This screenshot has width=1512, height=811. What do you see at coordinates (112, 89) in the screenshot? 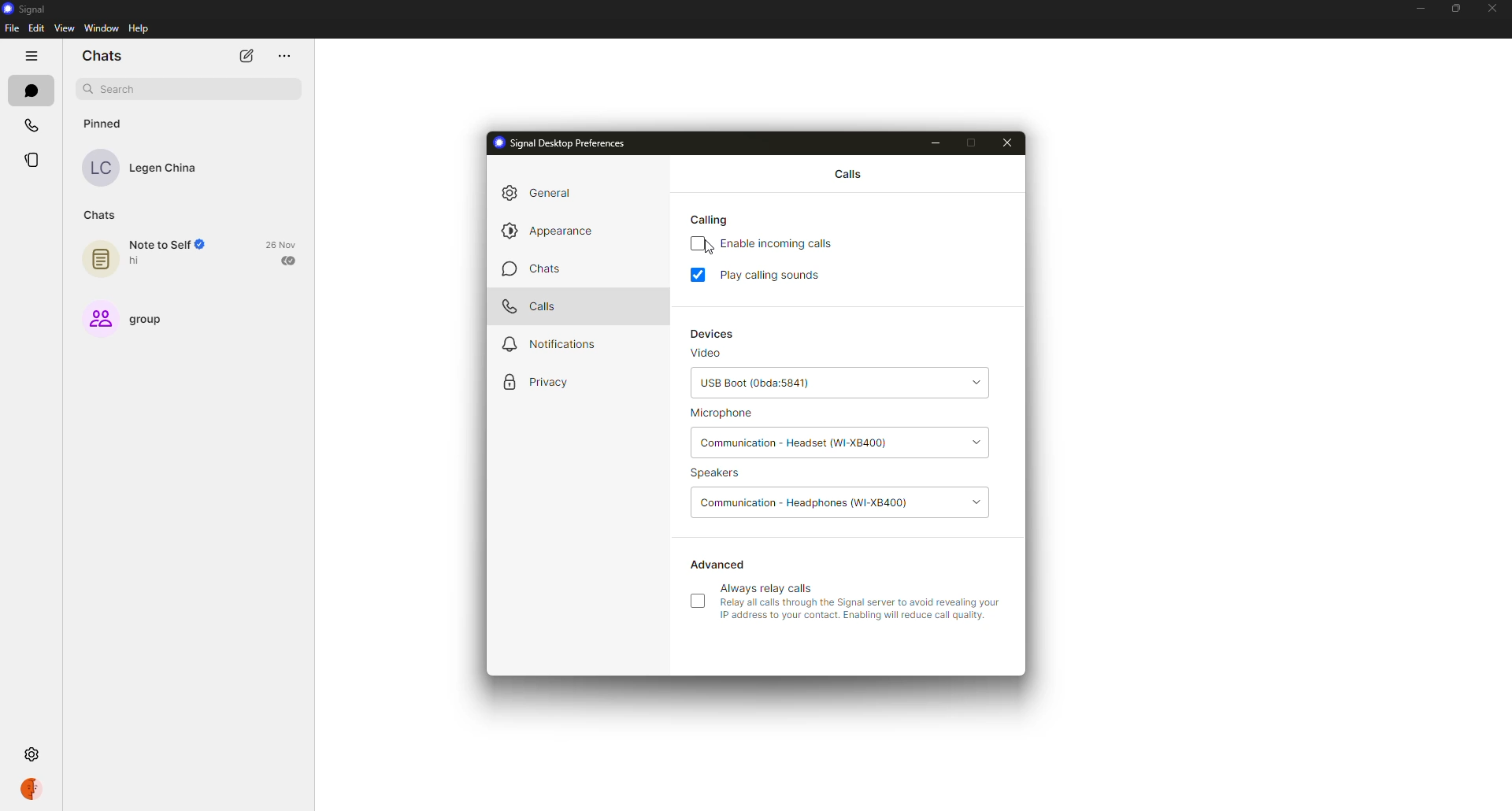
I see `search` at bounding box center [112, 89].